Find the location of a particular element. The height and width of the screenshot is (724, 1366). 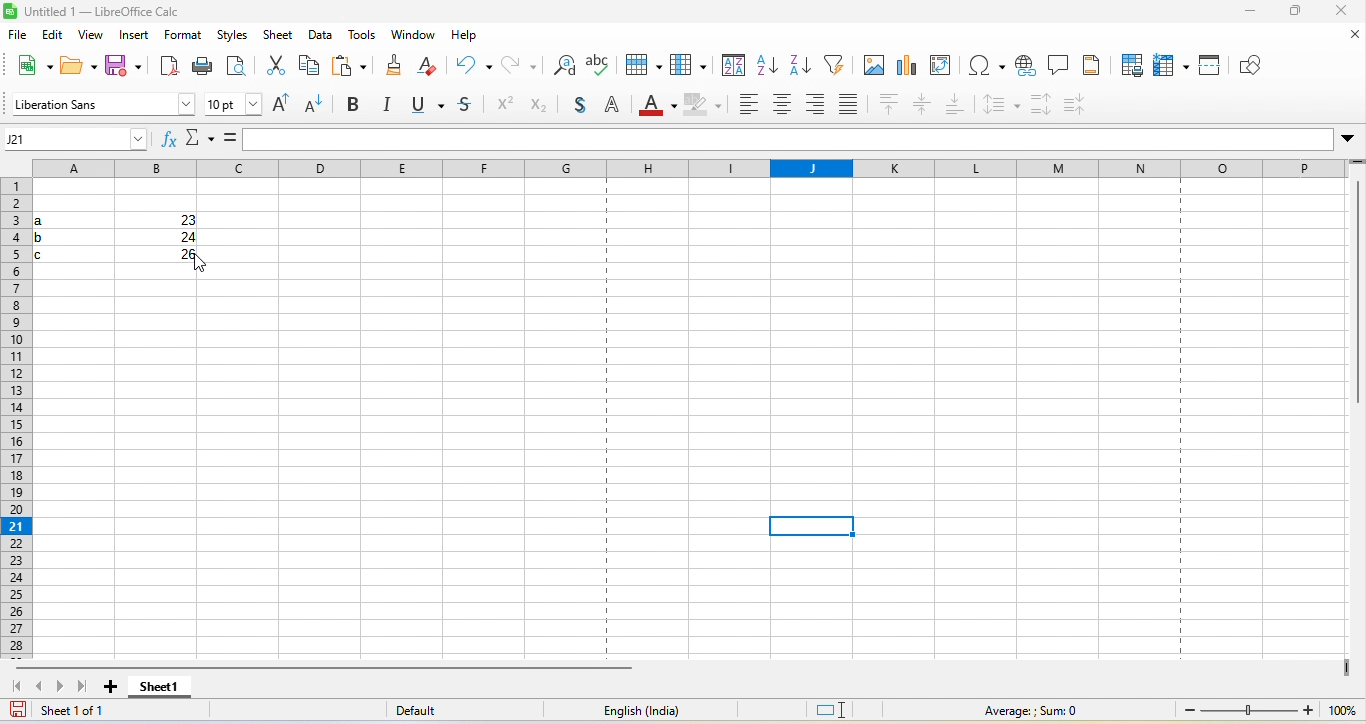

23 is located at coordinates (179, 222).